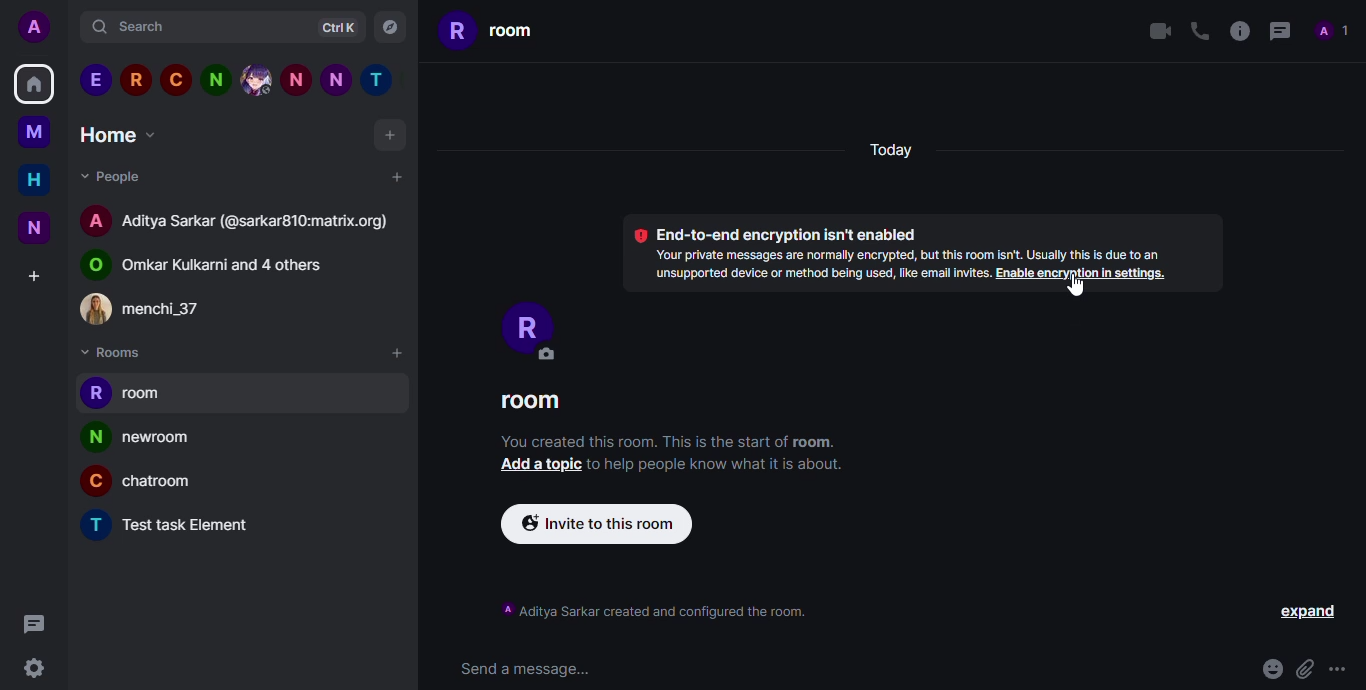 This screenshot has width=1366, height=690. Describe the element at coordinates (167, 524) in the screenshot. I see `Test task element` at that location.